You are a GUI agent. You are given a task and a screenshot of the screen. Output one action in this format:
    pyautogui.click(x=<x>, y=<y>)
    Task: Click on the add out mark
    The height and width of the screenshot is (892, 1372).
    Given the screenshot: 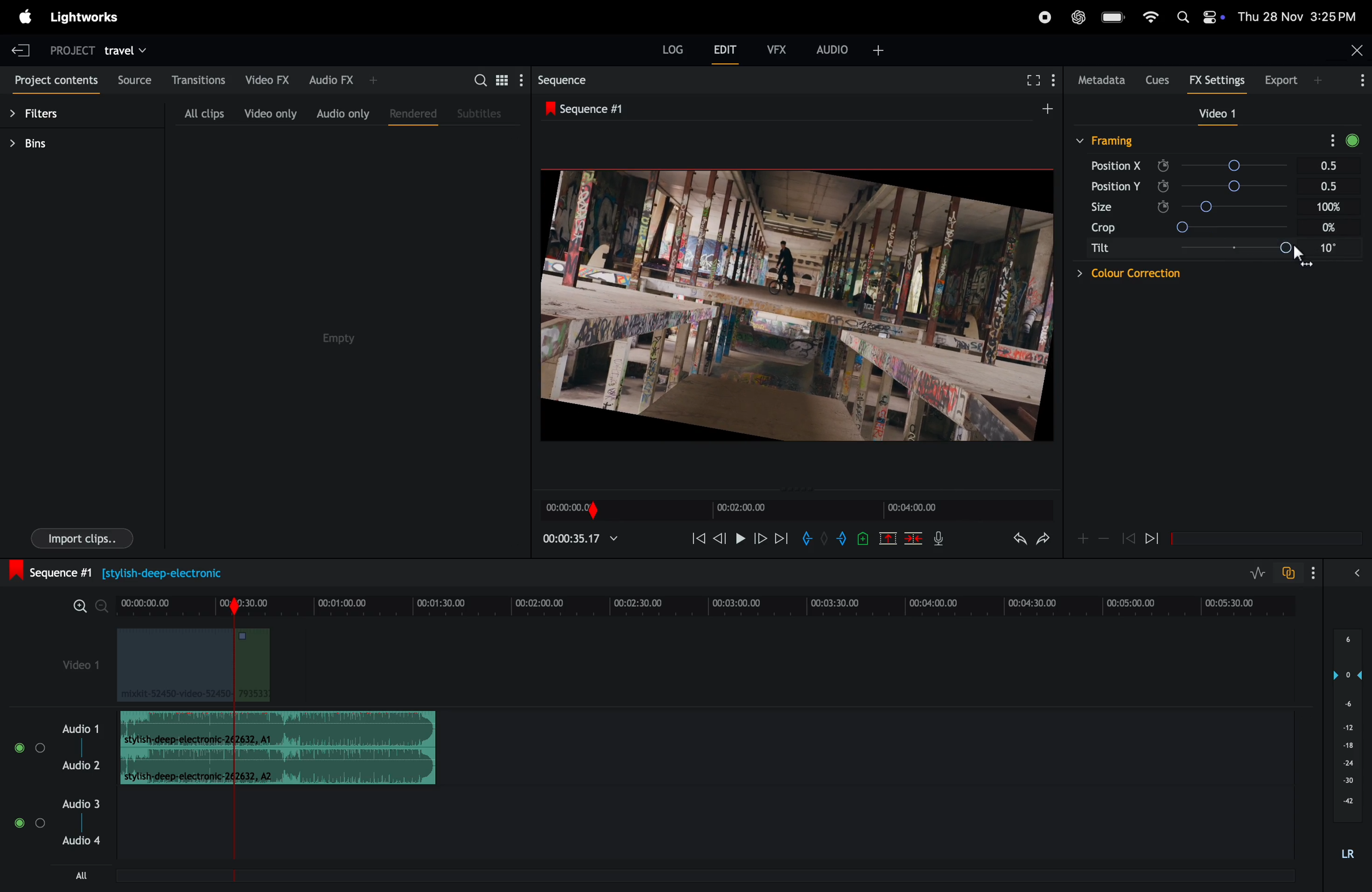 What is the action you would take?
    pyautogui.click(x=843, y=538)
    